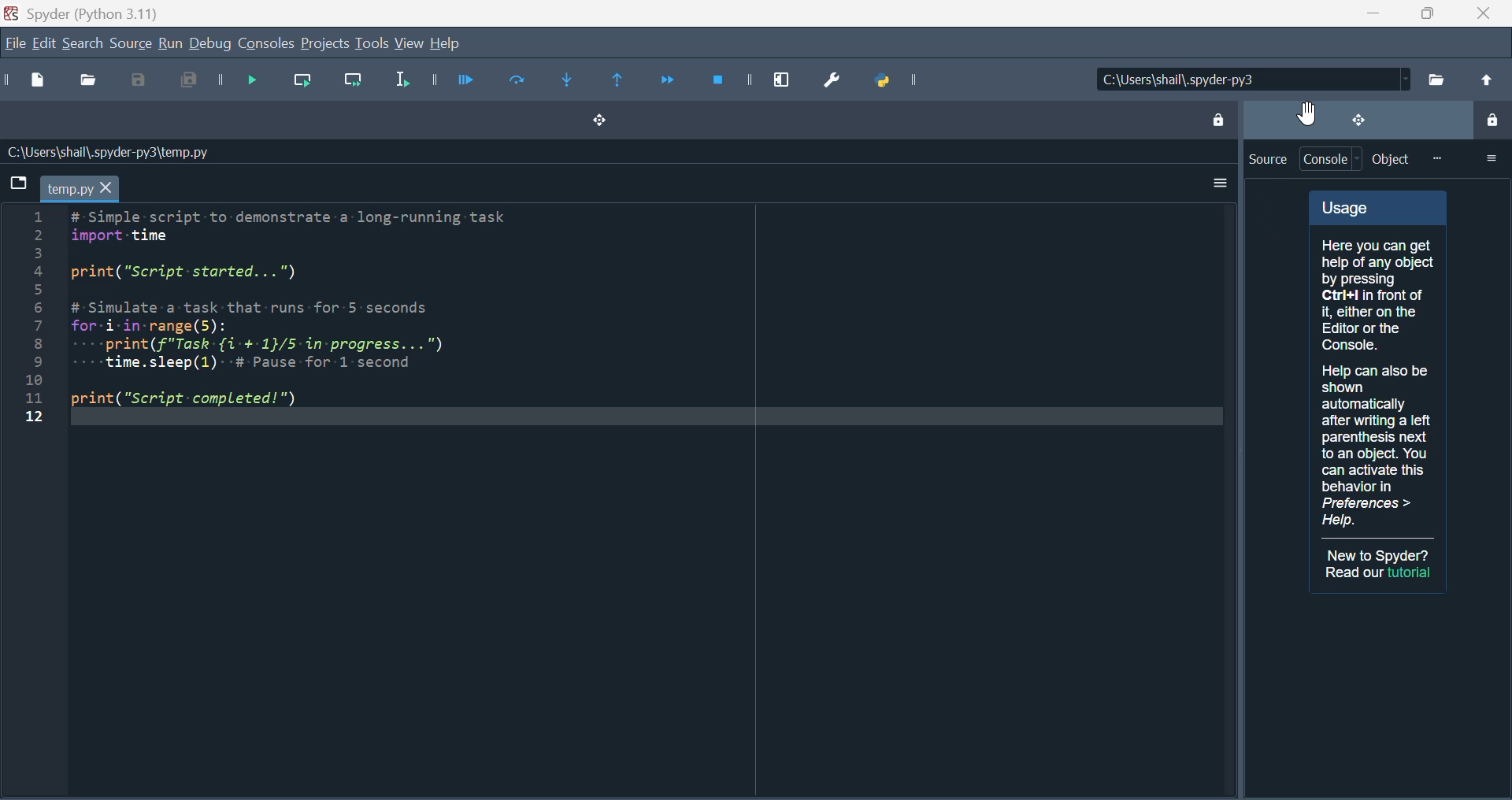 The image size is (1512, 800). Describe the element at coordinates (465, 80) in the screenshot. I see `Run file` at that location.